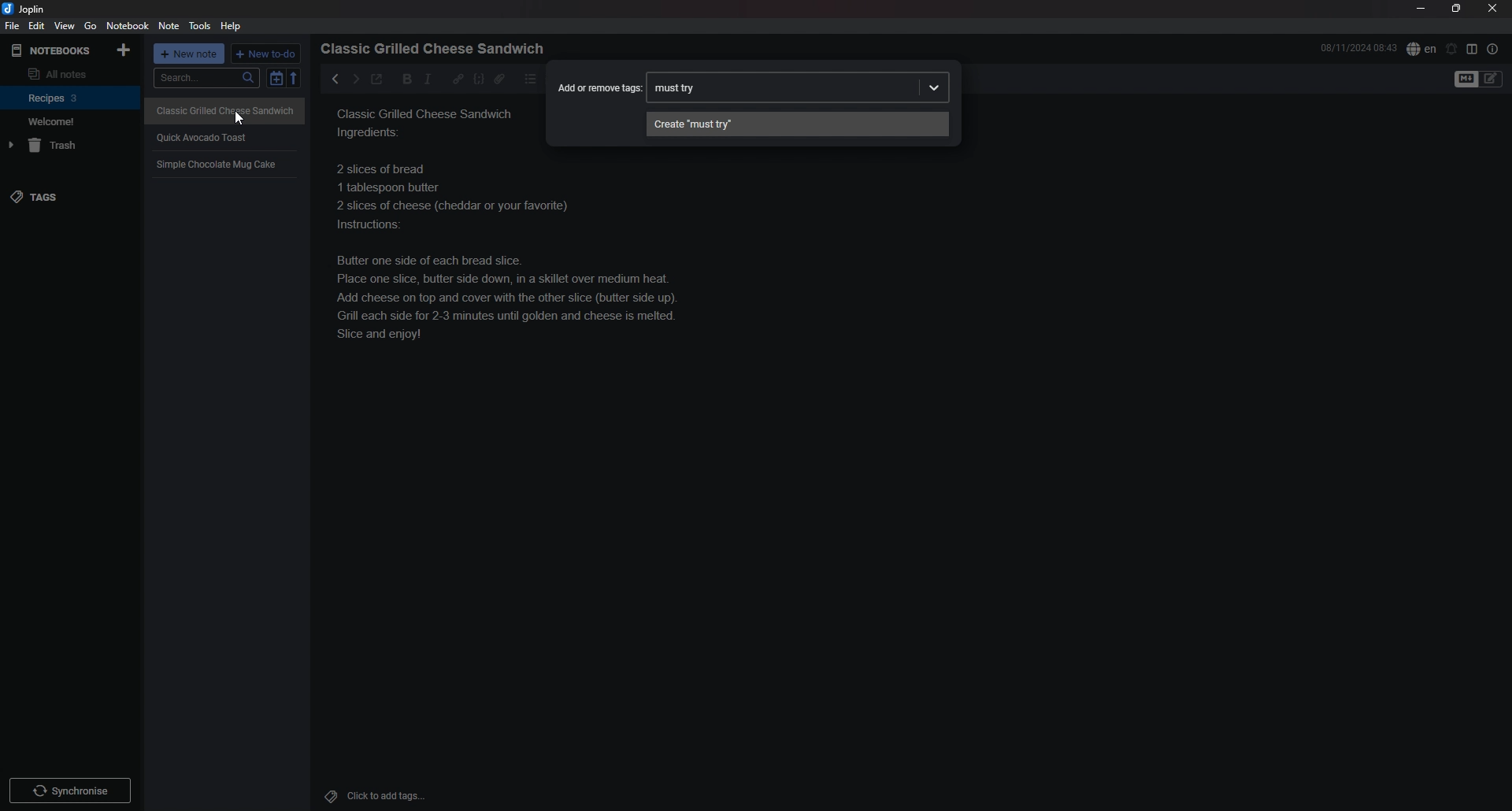 This screenshot has width=1512, height=811. Describe the element at coordinates (71, 97) in the screenshot. I see `notebook` at that location.